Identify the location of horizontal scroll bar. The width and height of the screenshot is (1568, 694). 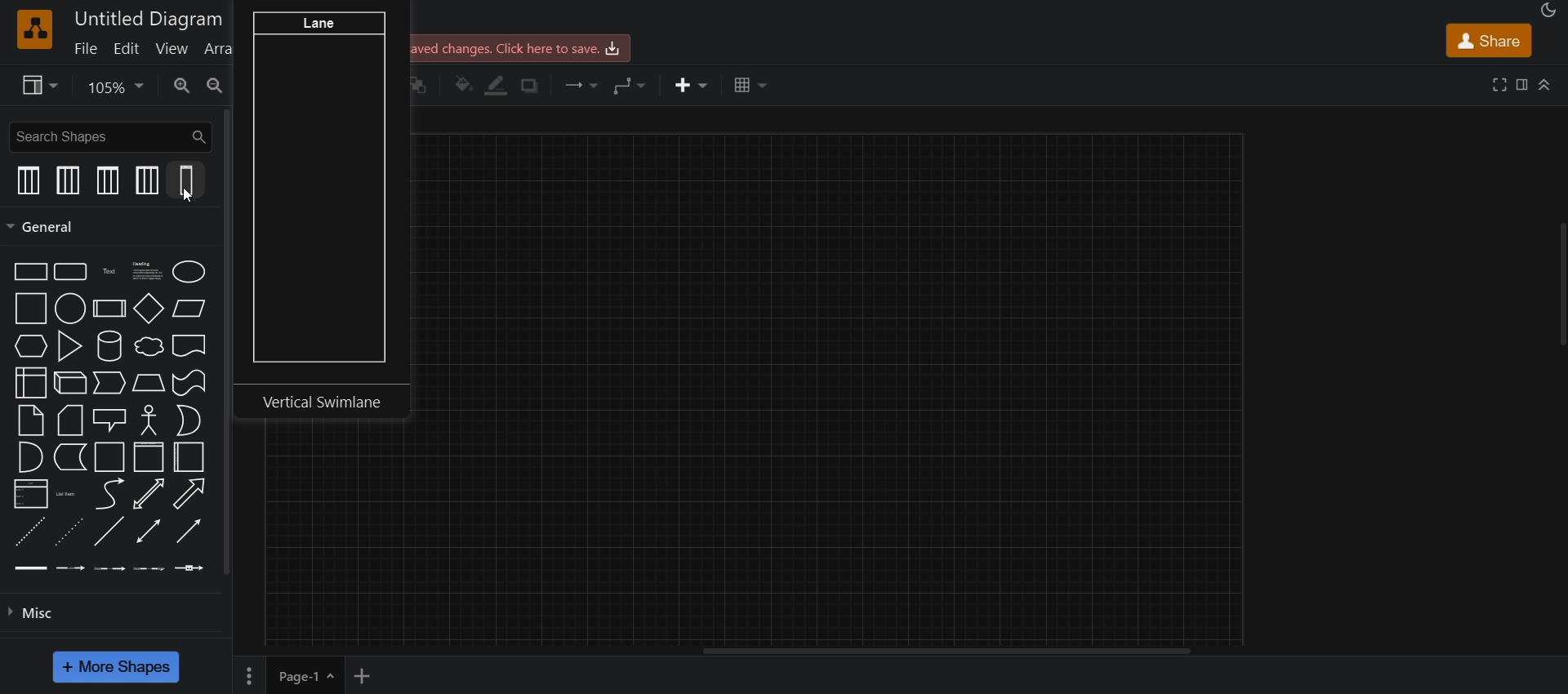
(946, 652).